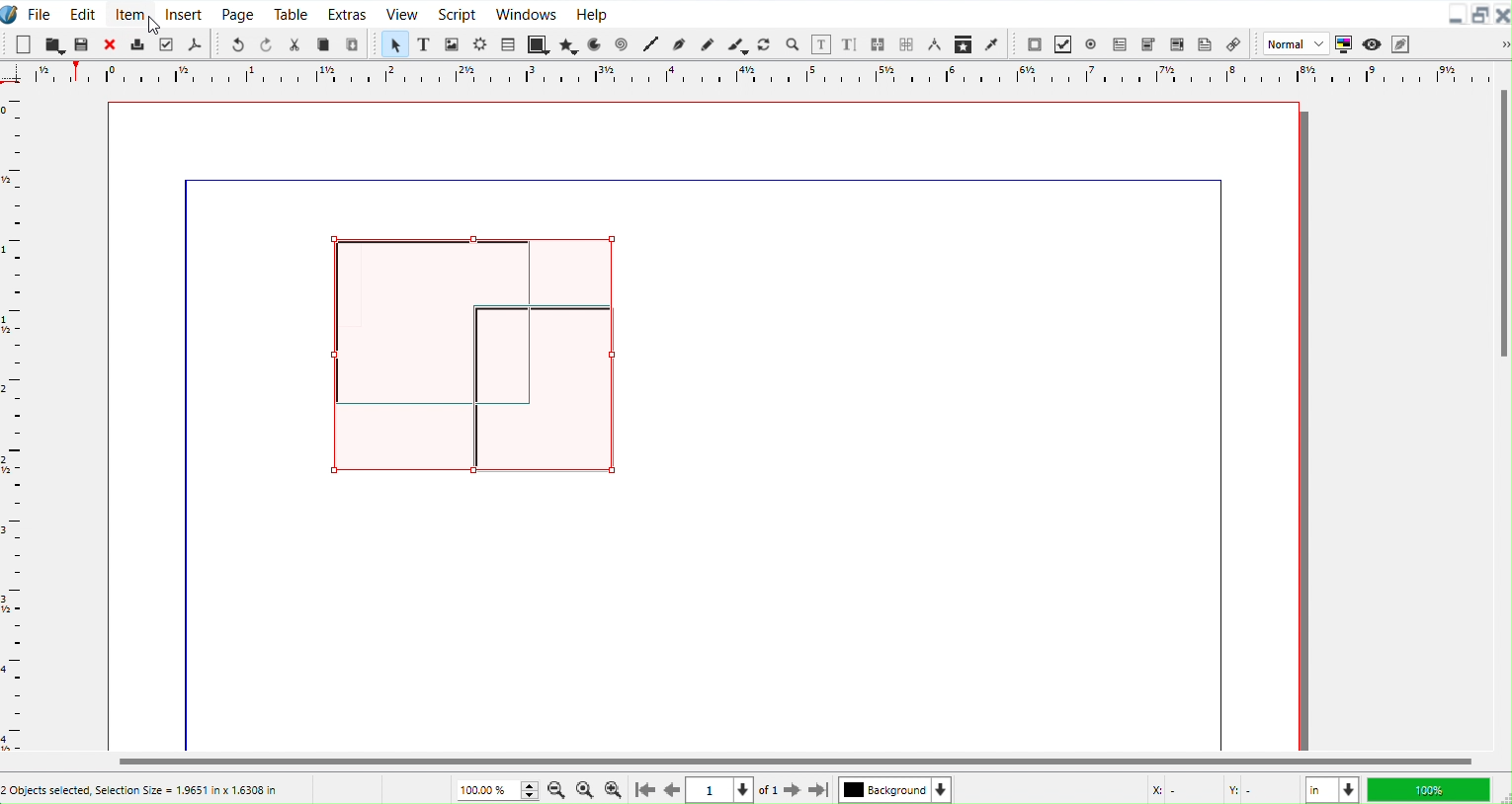 This screenshot has width=1512, height=804. I want to click on Insert, so click(184, 13).